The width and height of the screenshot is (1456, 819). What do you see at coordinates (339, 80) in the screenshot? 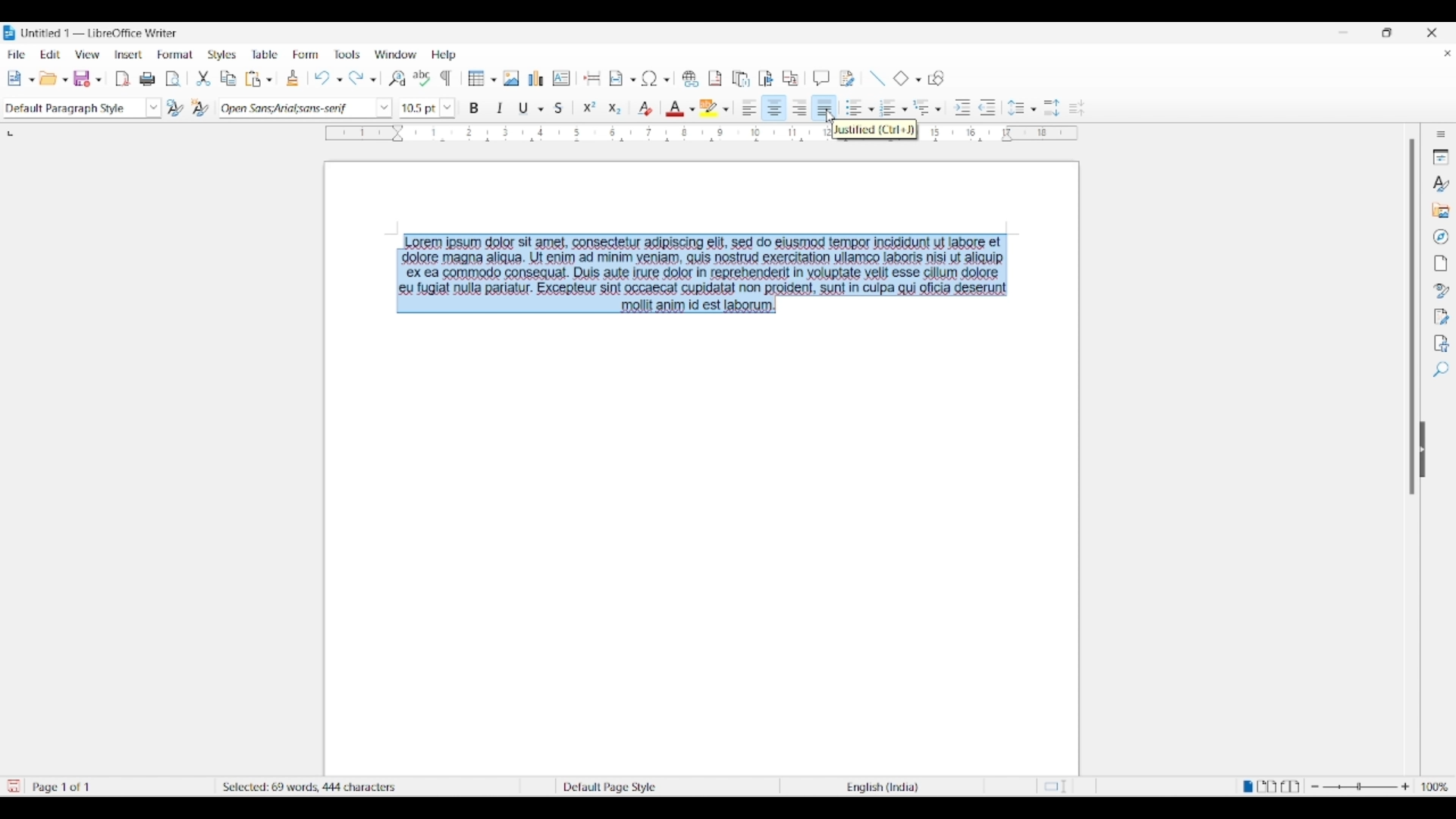
I see `Undo specific action` at bounding box center [339, 80].